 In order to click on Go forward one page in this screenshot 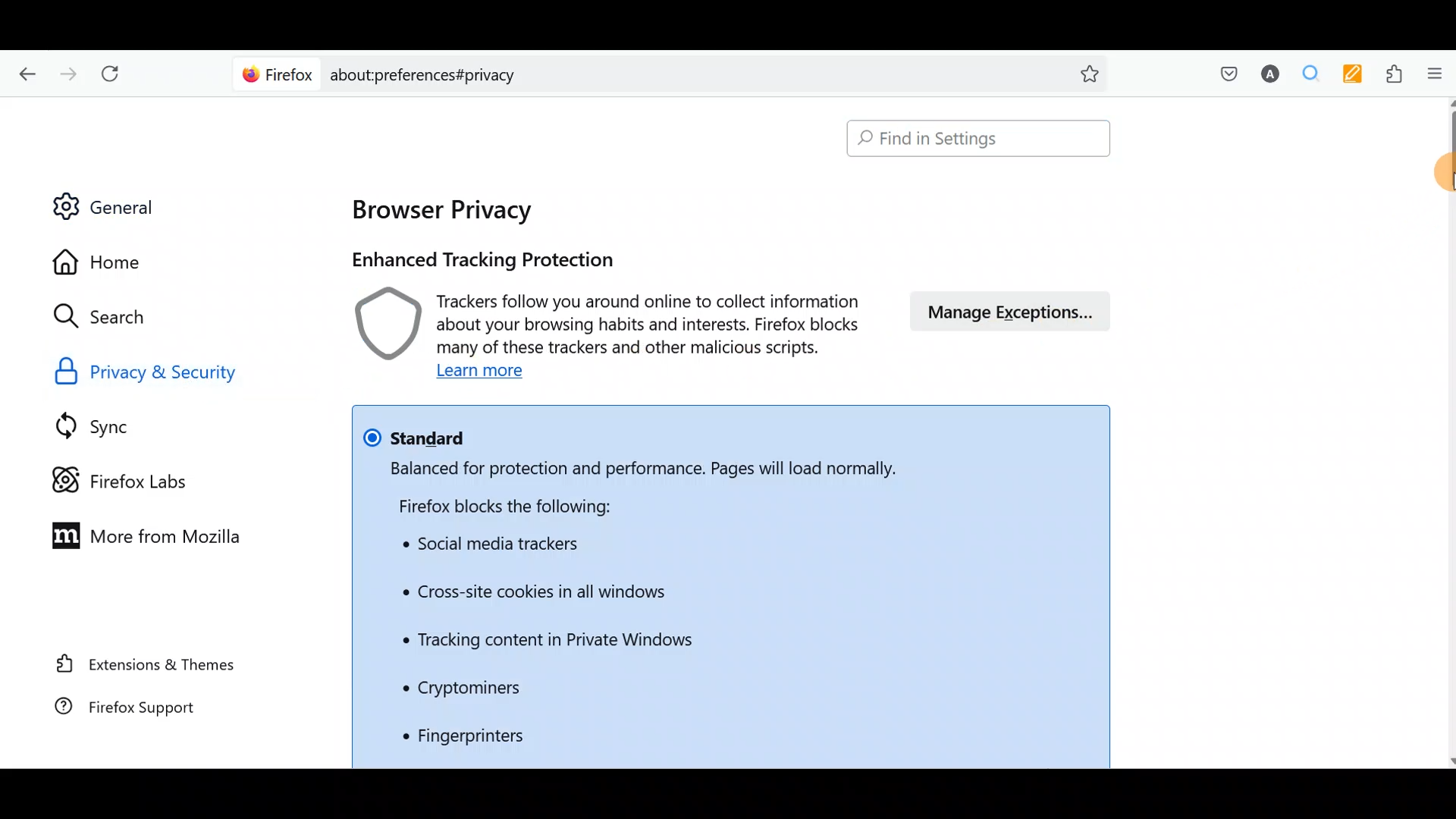, I will do `click(67, 70)`.